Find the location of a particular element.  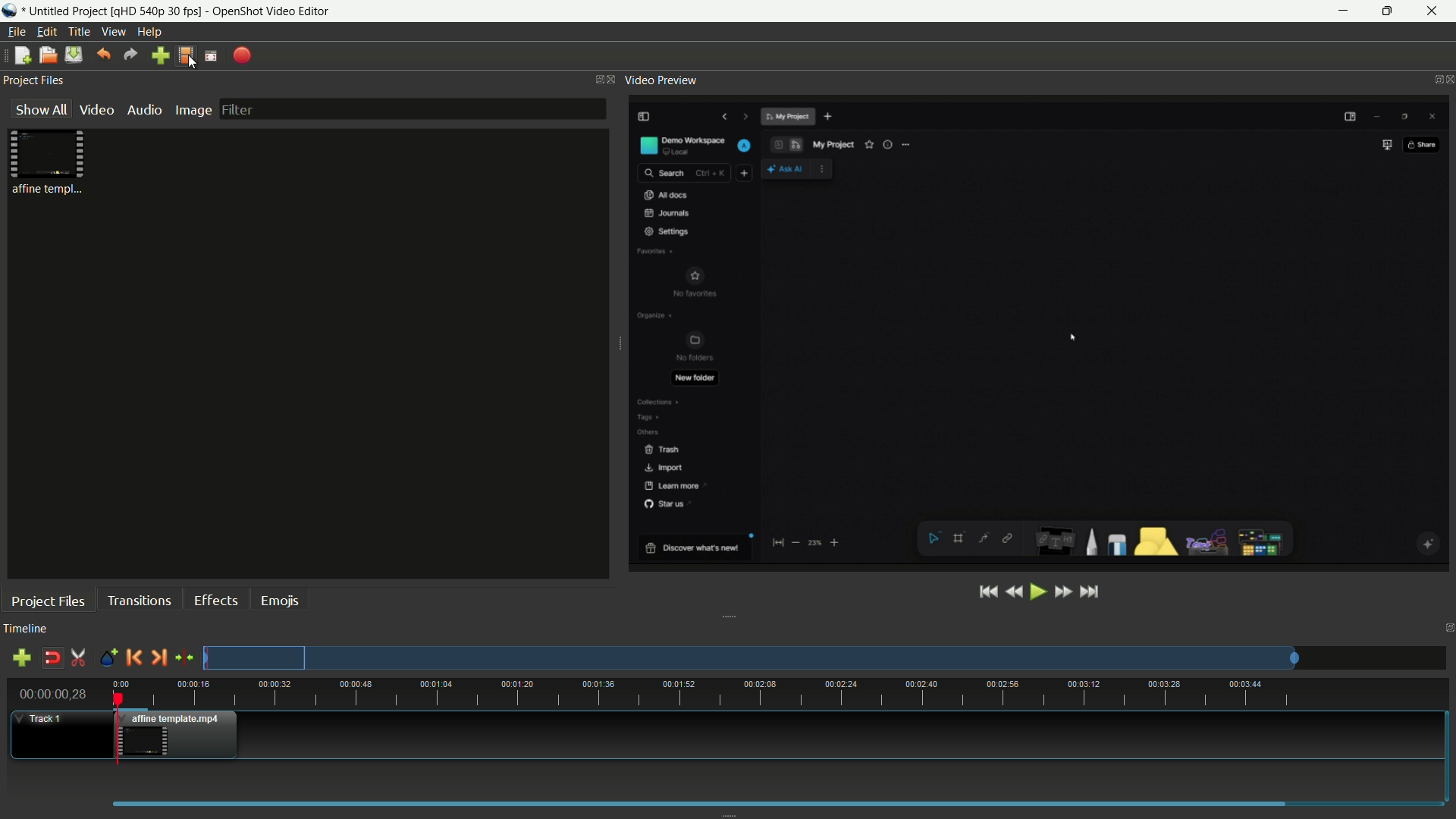

timeline is located at coordinates (26, 629).